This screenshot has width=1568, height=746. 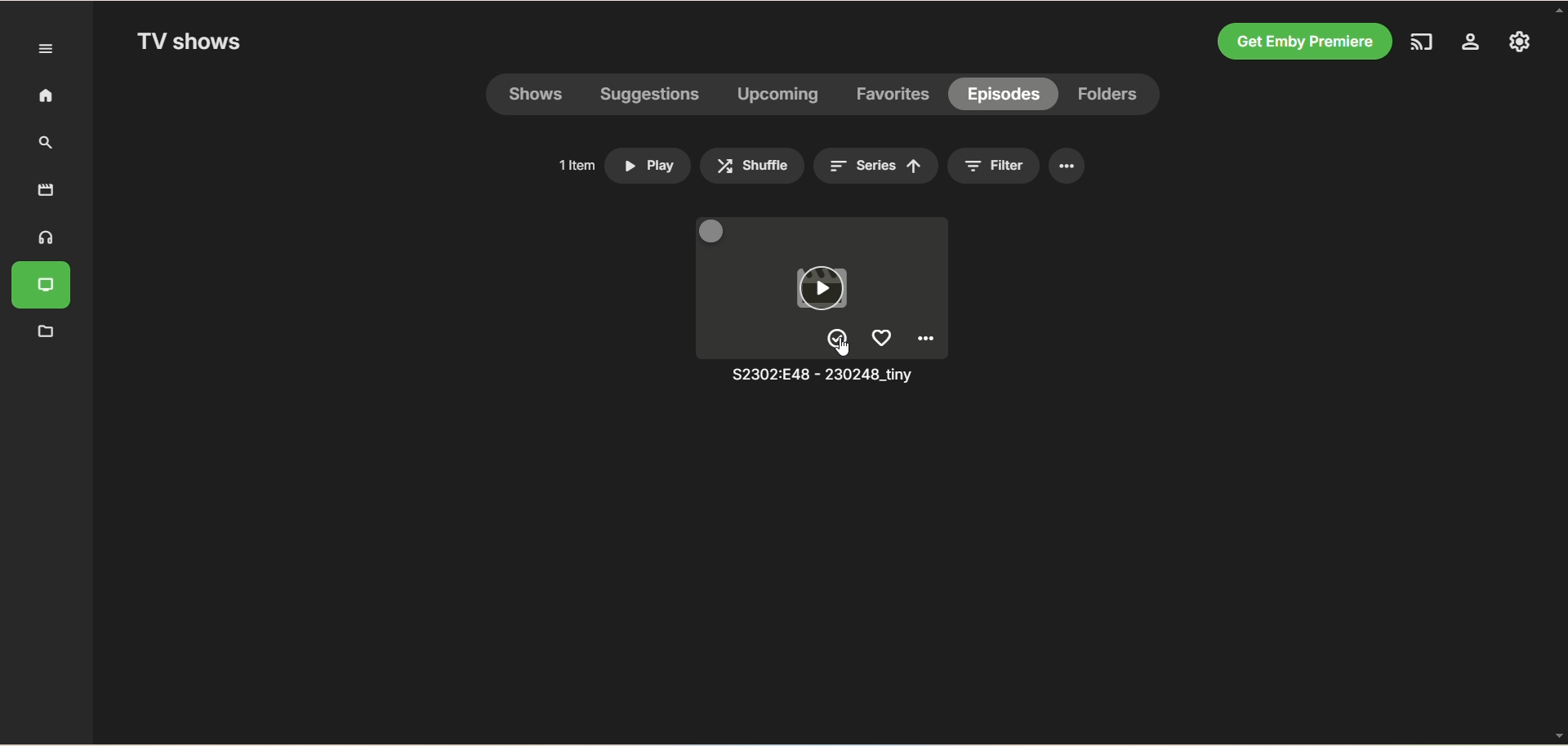 I want to click on expand, so click(x=47, y=49).